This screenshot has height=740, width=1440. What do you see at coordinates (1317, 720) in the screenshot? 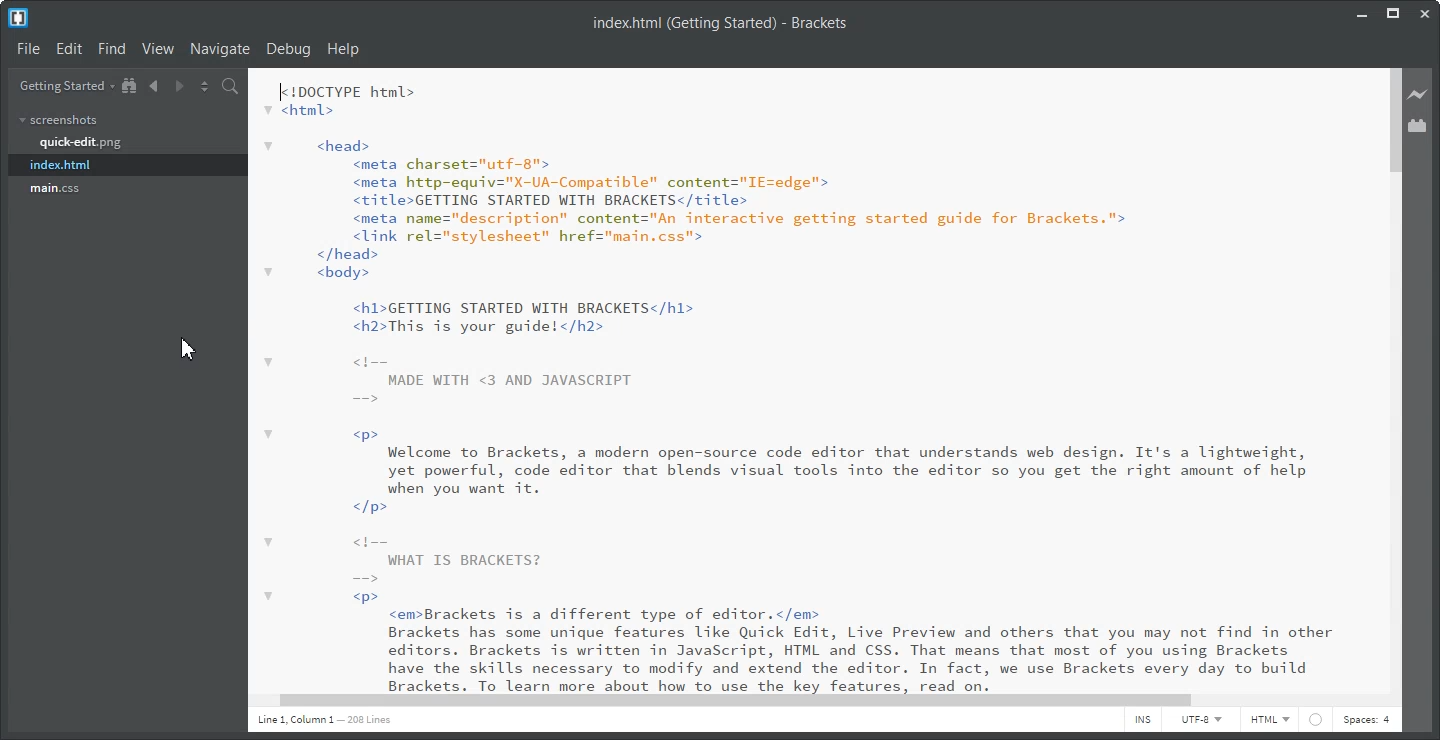
I see `web` at bounding box center [1317, 720].